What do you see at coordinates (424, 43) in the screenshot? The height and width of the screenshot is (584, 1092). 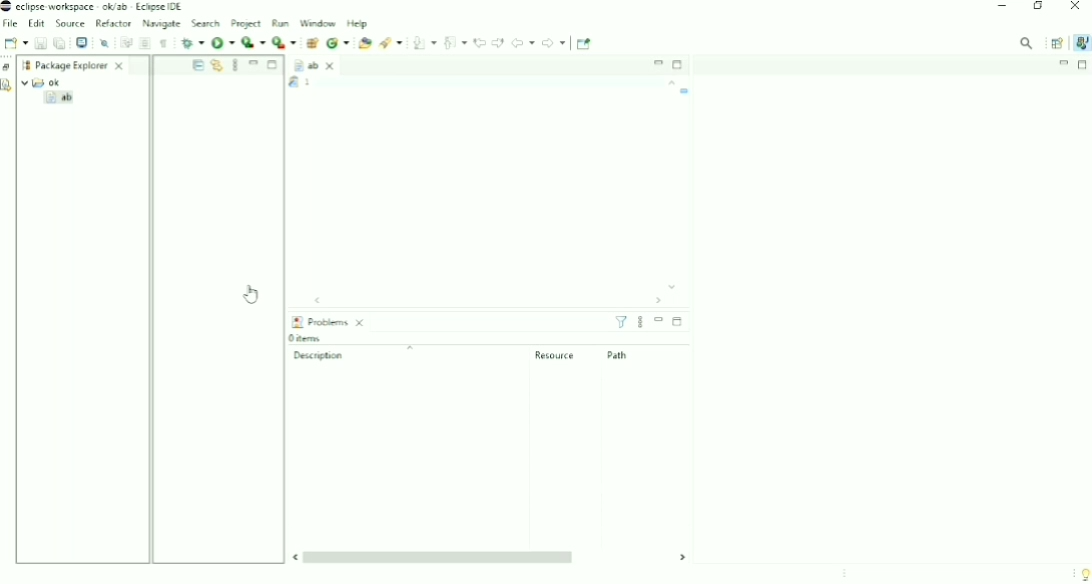 I see `Next Annotation` at bounding box center [424, 43].